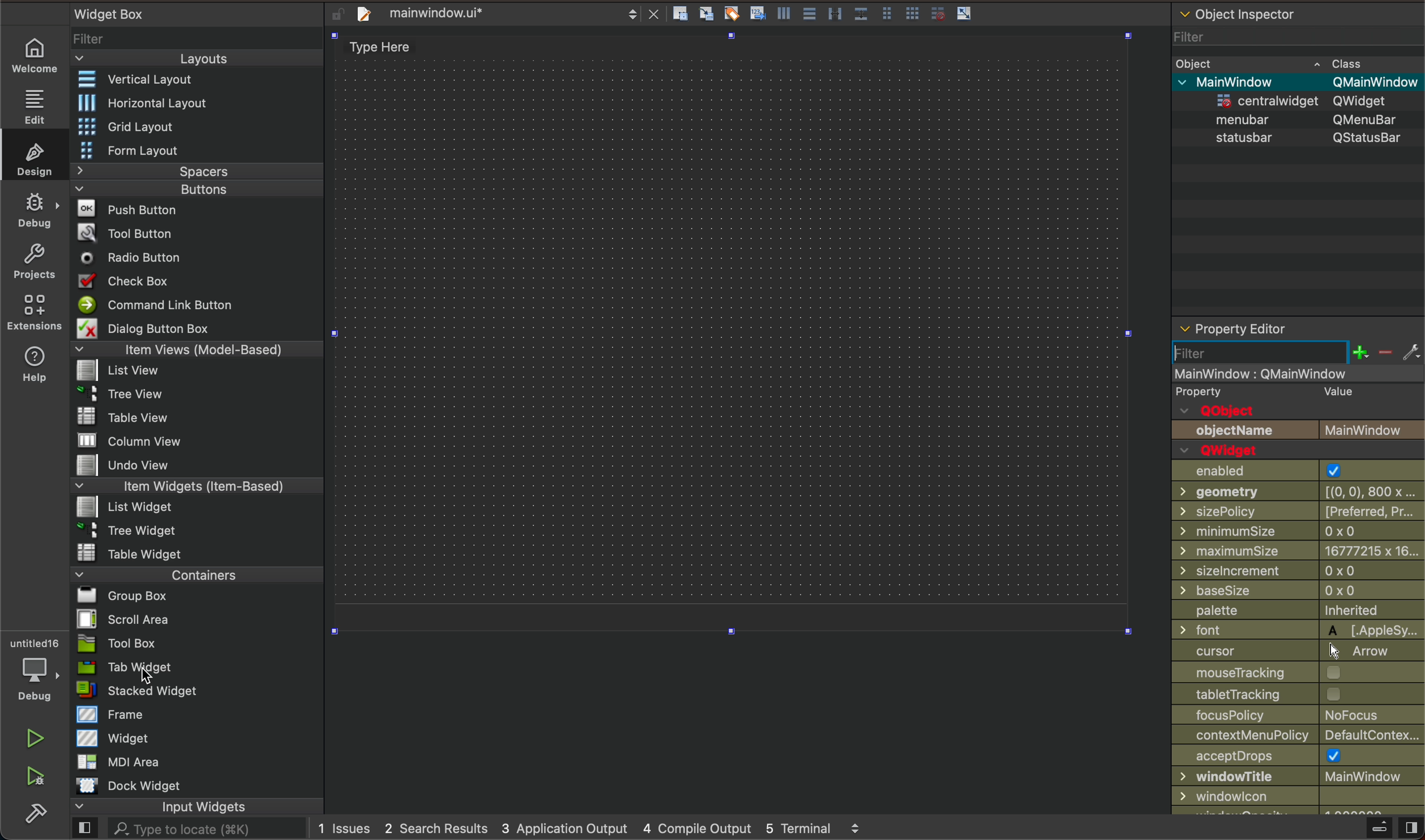 The width and height of the screenshot is (1425, 840). I want to click on Tab Widget, so click(134, 667).